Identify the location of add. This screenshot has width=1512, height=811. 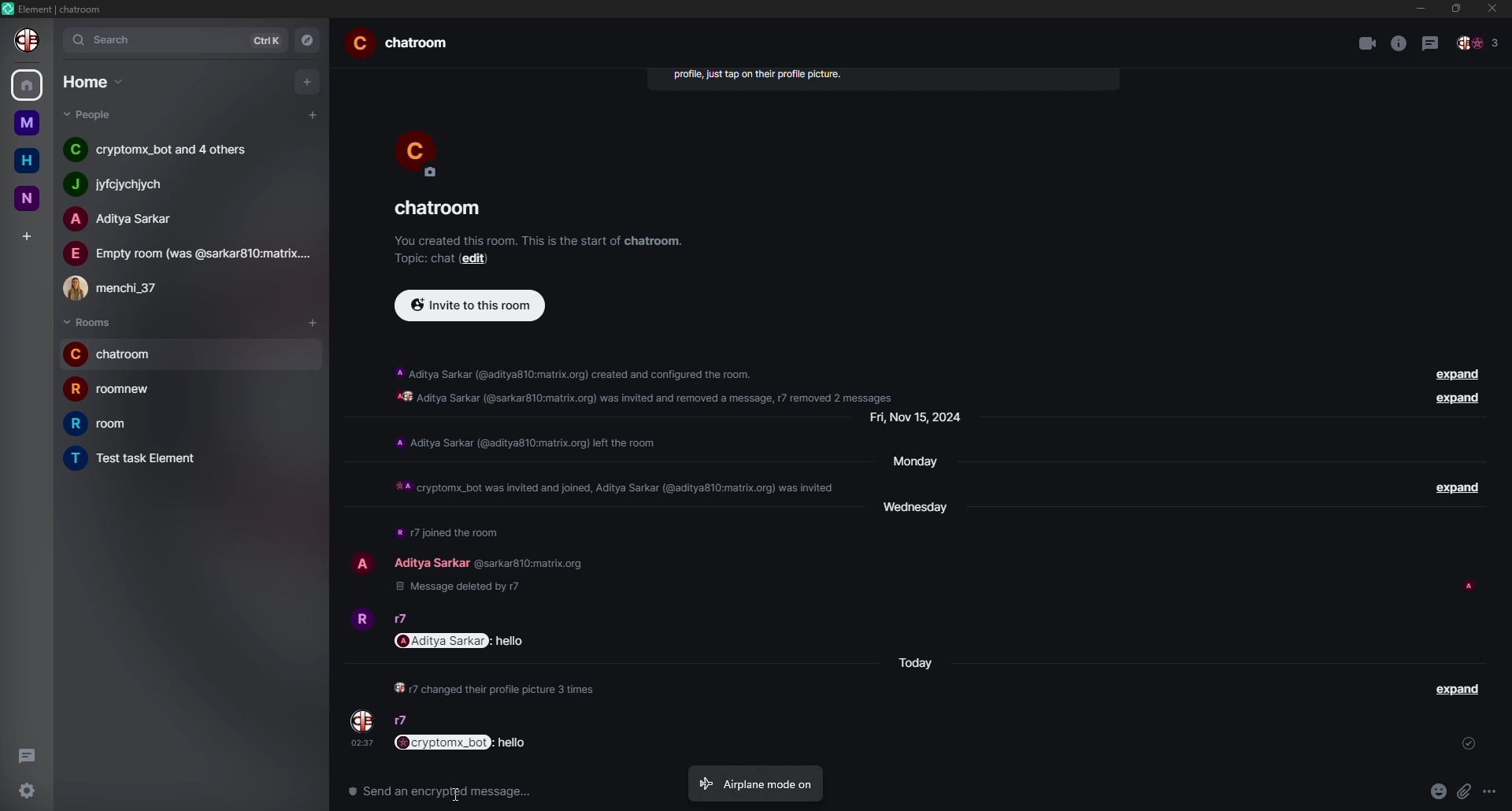
(306, 82).